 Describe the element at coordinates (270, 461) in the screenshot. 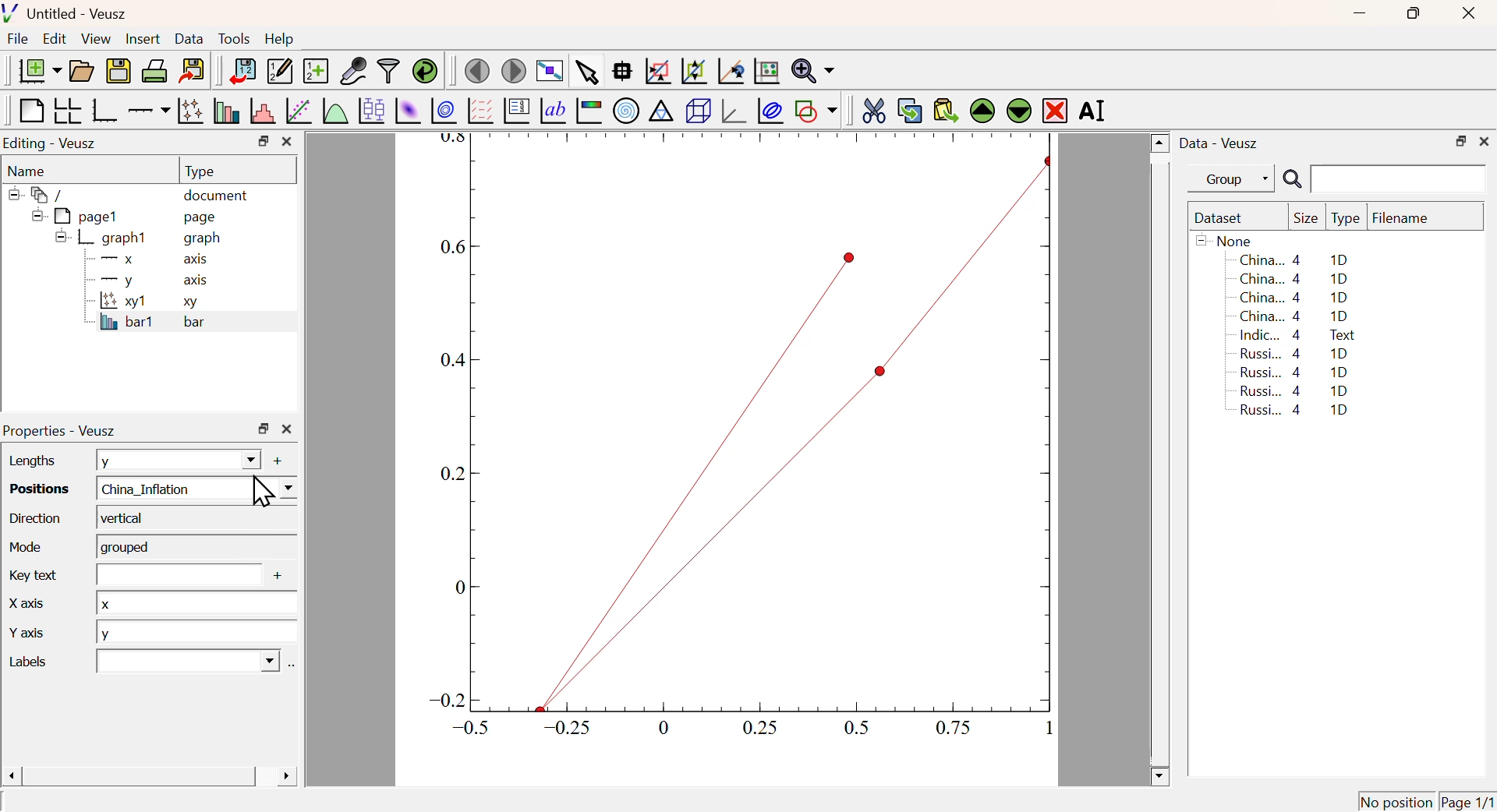

I see `Add` at that location.